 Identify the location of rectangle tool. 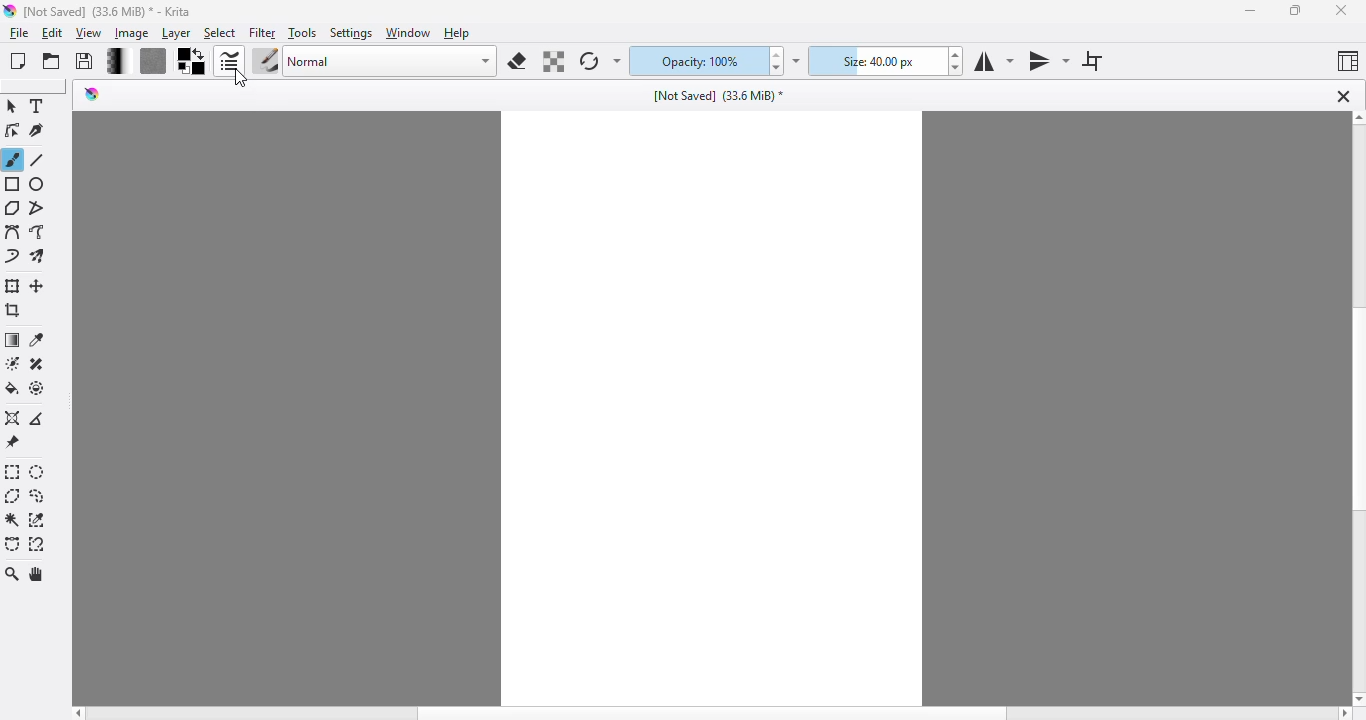
(12, 184).